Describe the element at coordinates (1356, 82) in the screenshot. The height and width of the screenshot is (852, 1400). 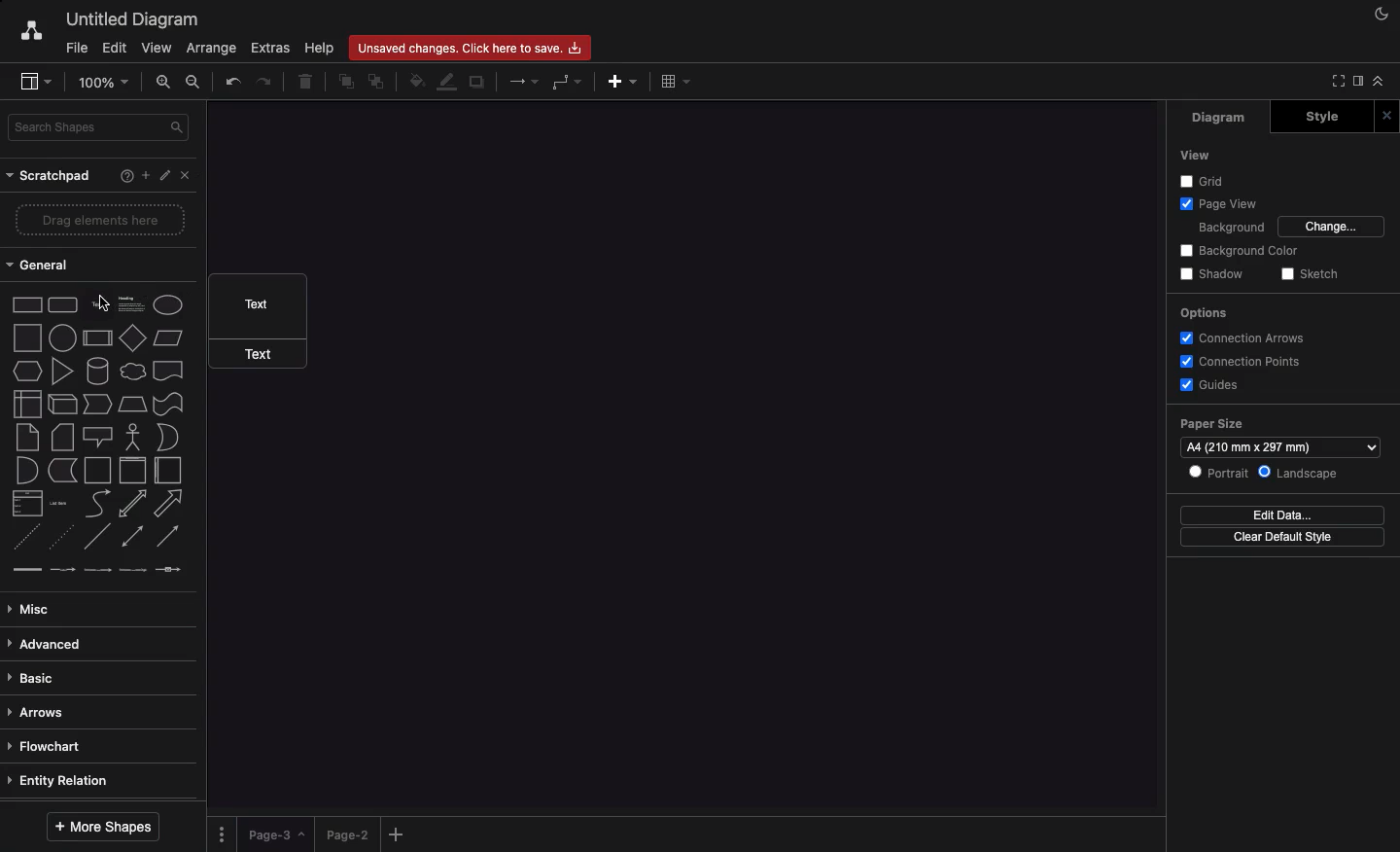
I see `Sidebar` at that location.